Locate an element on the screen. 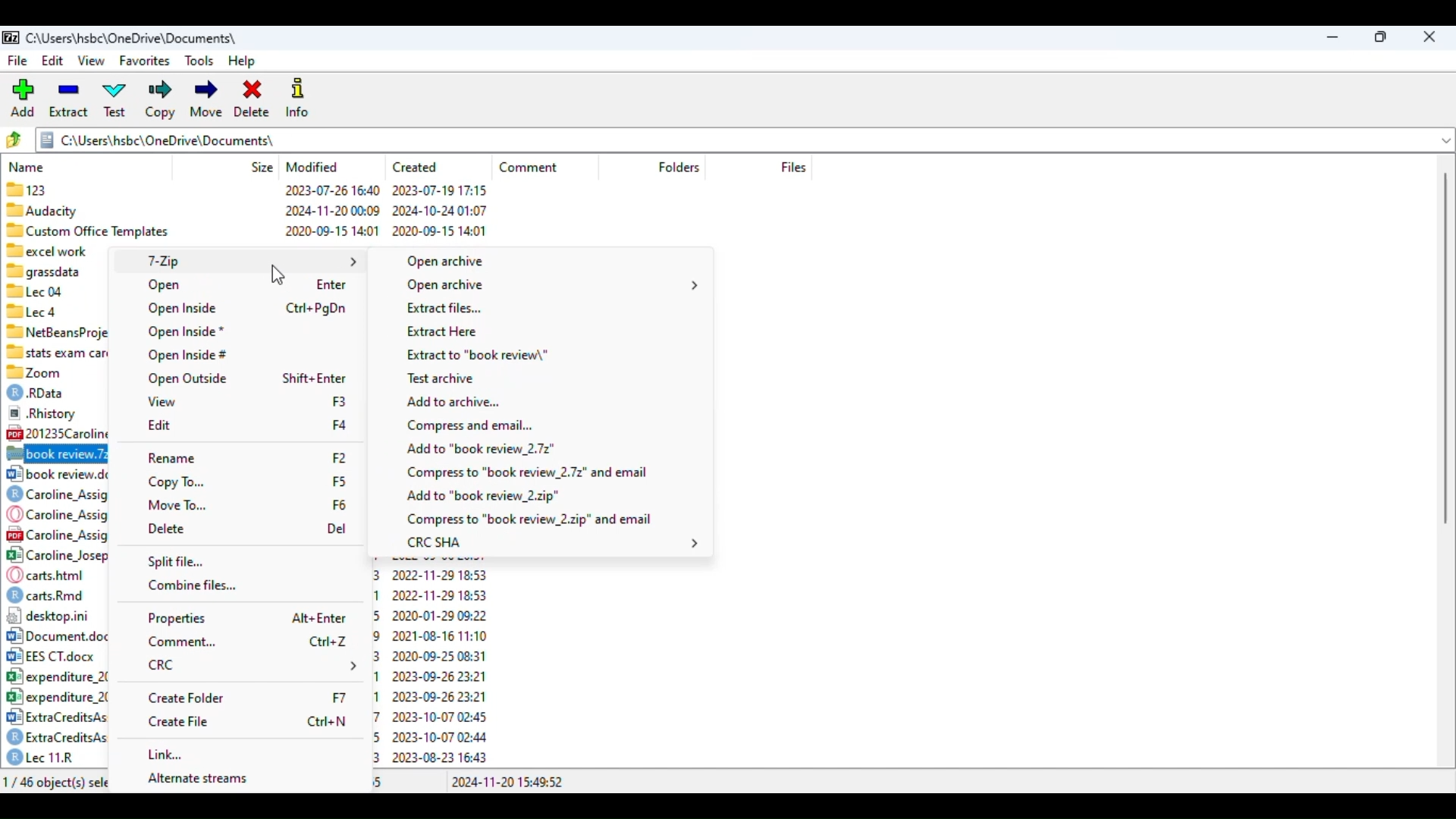 The height and width of the screenshot is (819, 1456). 7-Zip is located at coordinates (251, 260).